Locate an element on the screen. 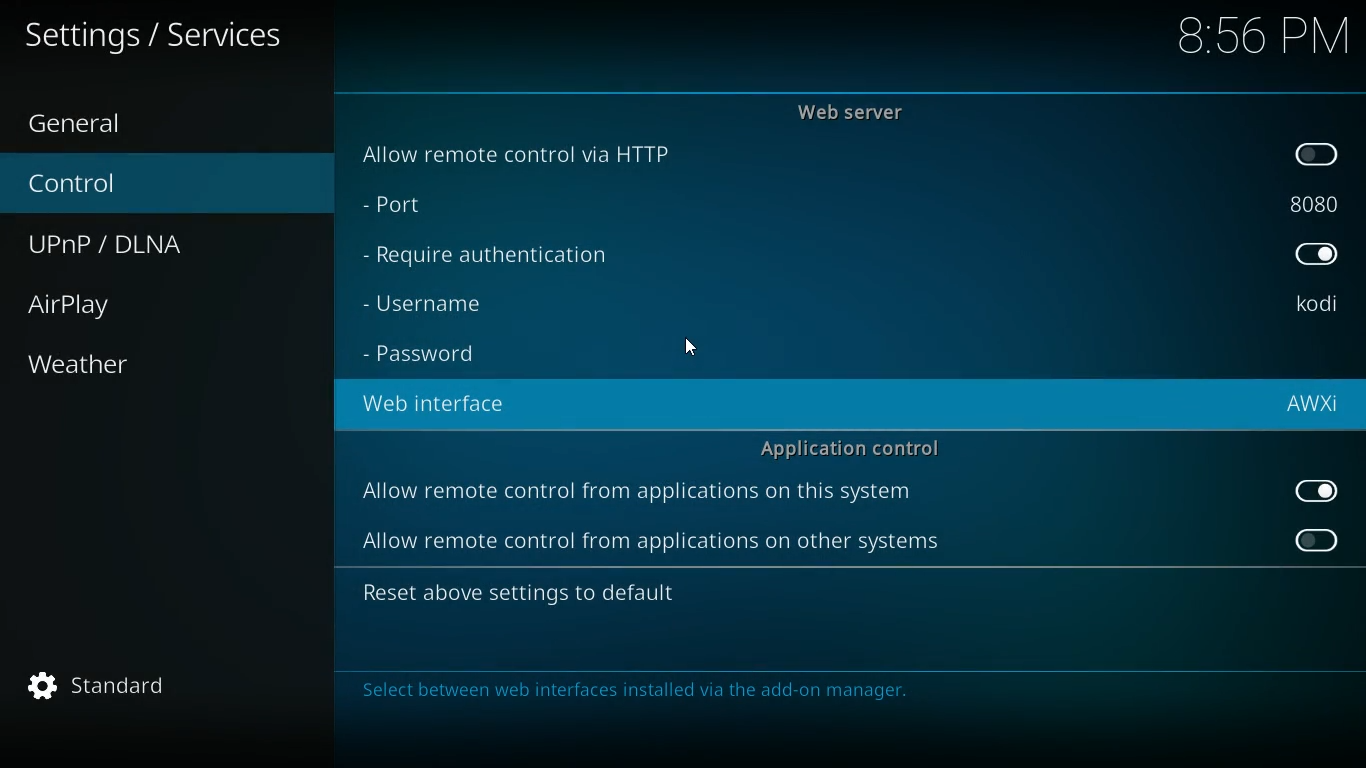  password is located at coordinates (433, 355).